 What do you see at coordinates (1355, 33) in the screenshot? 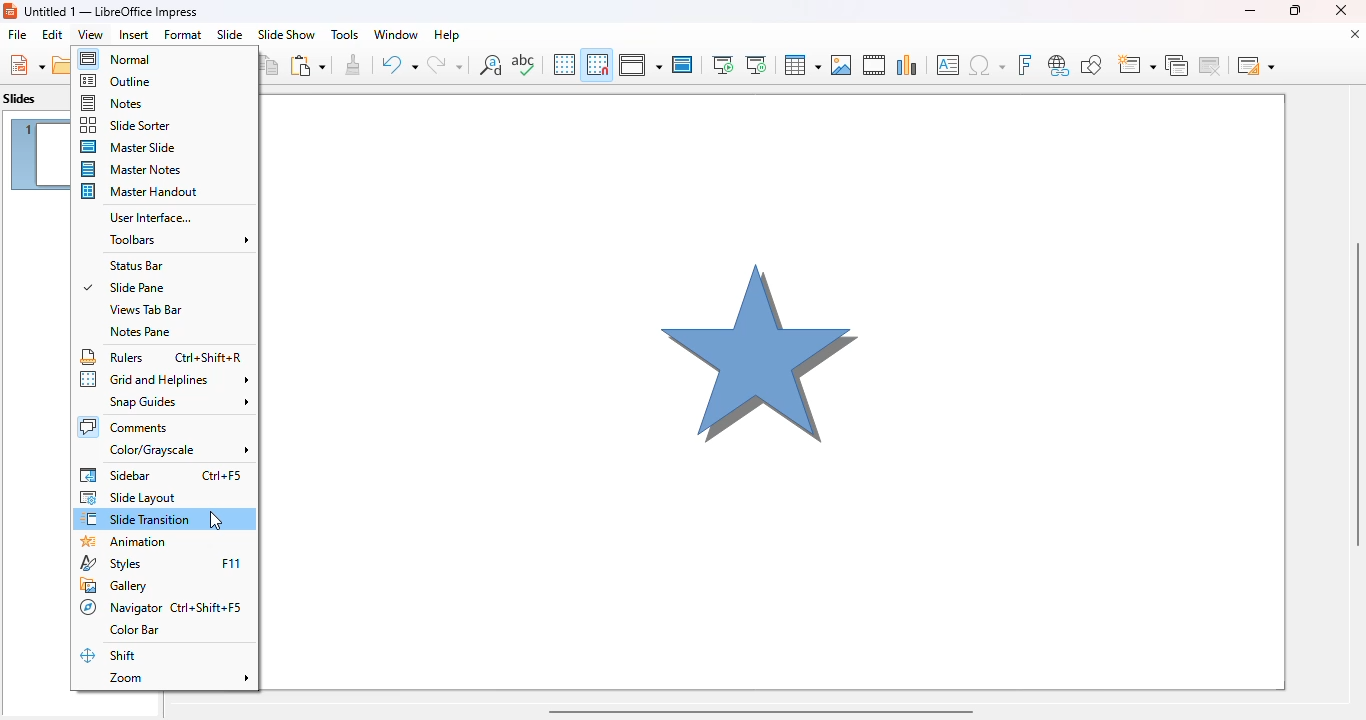
I see `close document` at bounding box center [1355, 33].